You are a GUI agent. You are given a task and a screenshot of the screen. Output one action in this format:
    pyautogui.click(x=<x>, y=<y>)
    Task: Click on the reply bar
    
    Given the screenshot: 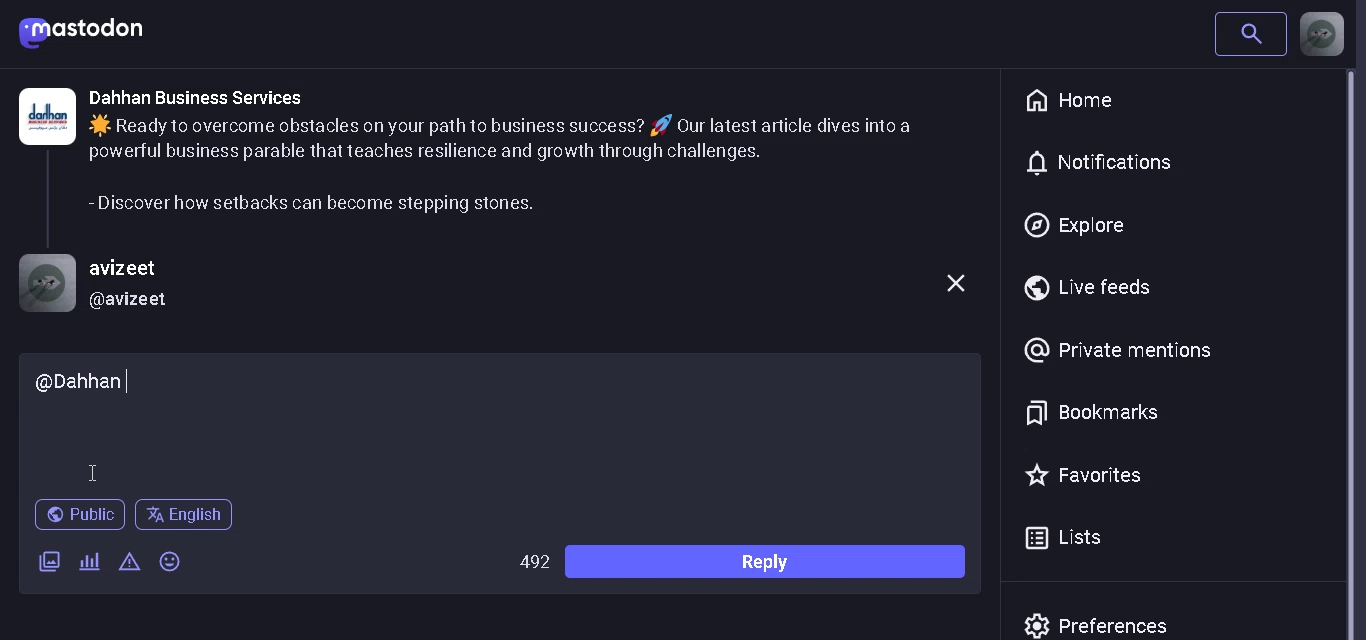 What is the action you would take?
    pyautogui.click(x=771, y=561)
    